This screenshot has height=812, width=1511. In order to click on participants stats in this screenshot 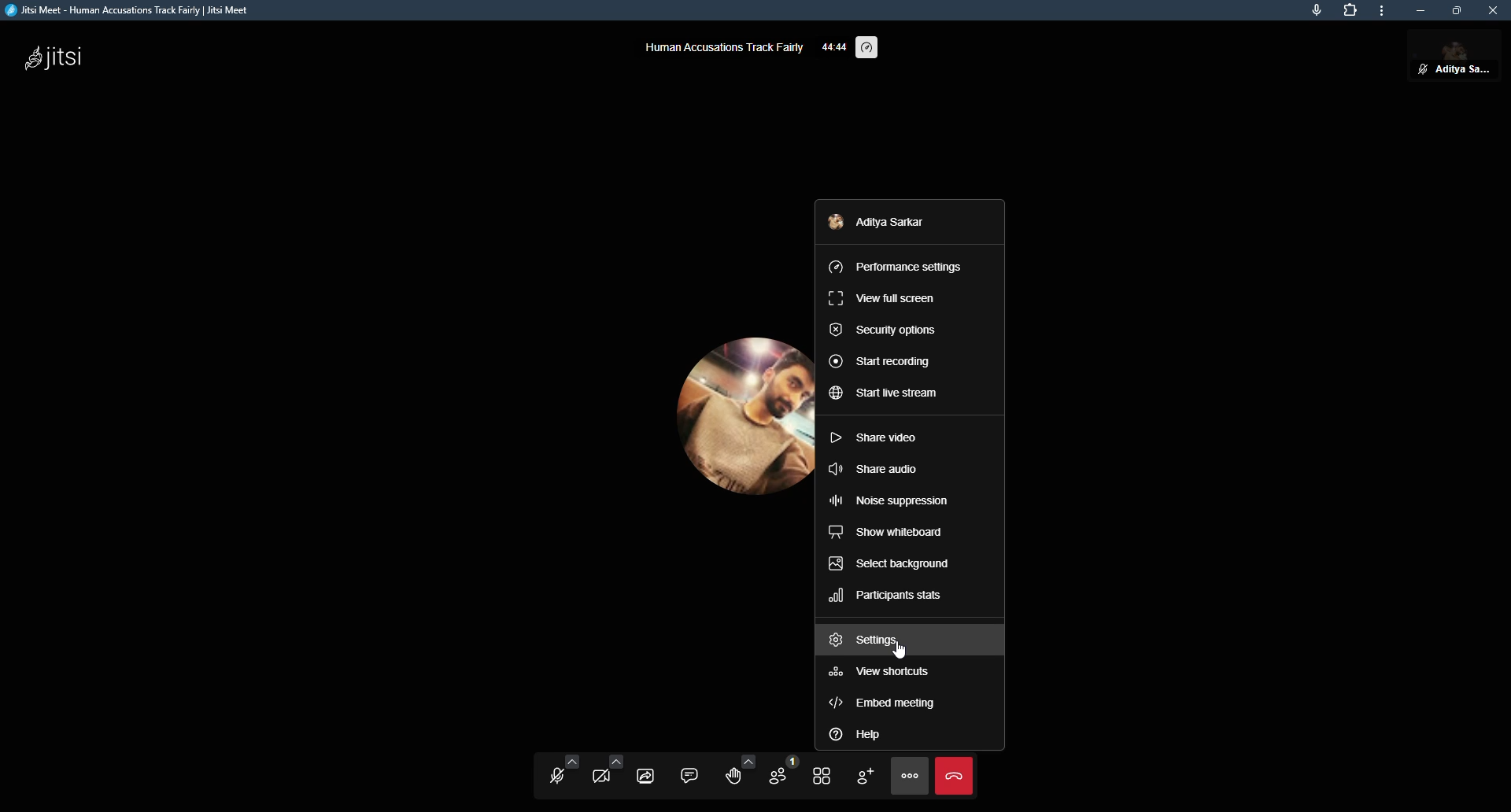, I will do `click(885, 597)`.